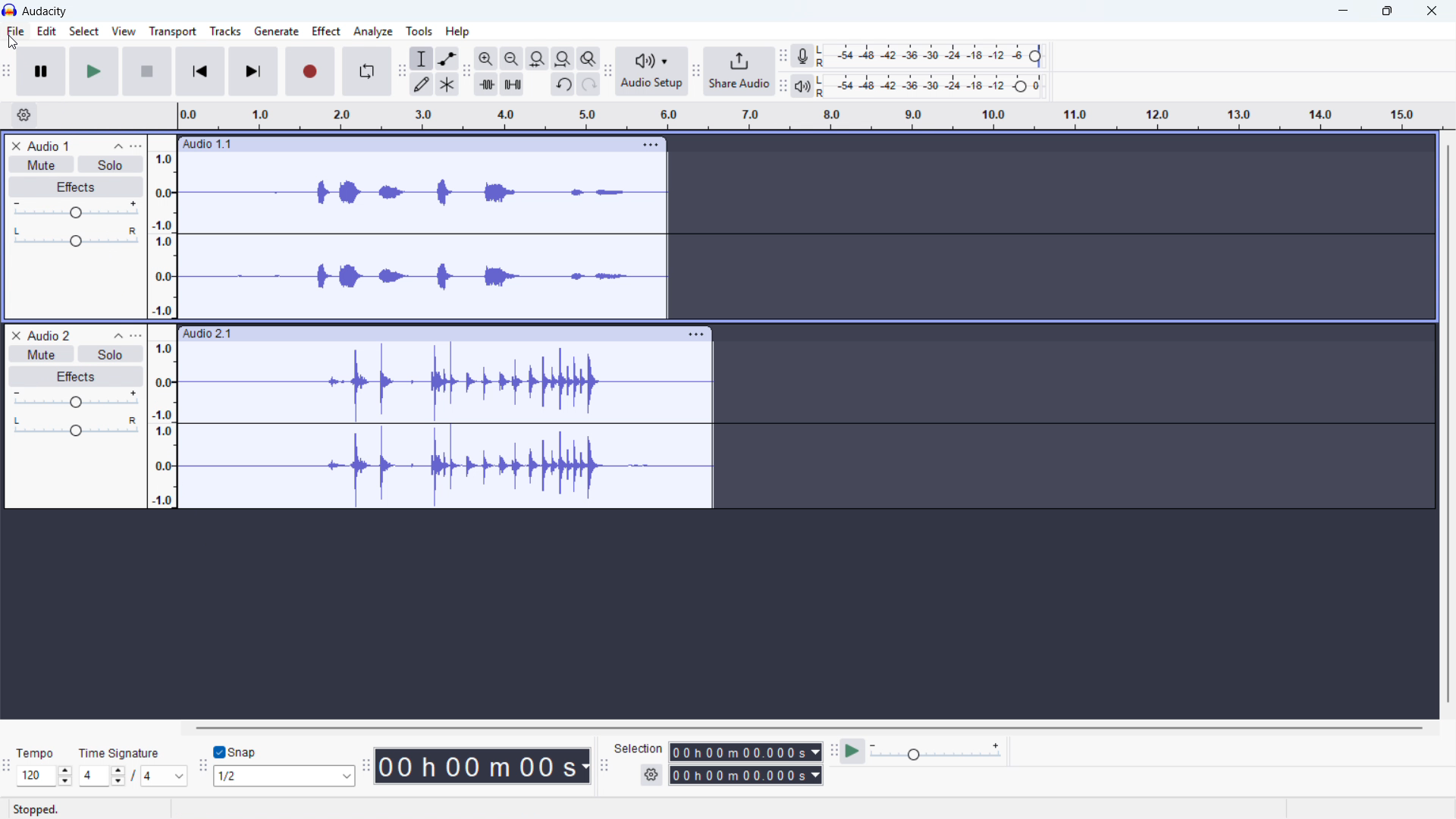 Image resolution: width=1456 pixels, height=819 pixels. What do you see at coordinates (136, 335) in the screenshot?
I see `Track control panel menu` at bounding box center [136, 335].